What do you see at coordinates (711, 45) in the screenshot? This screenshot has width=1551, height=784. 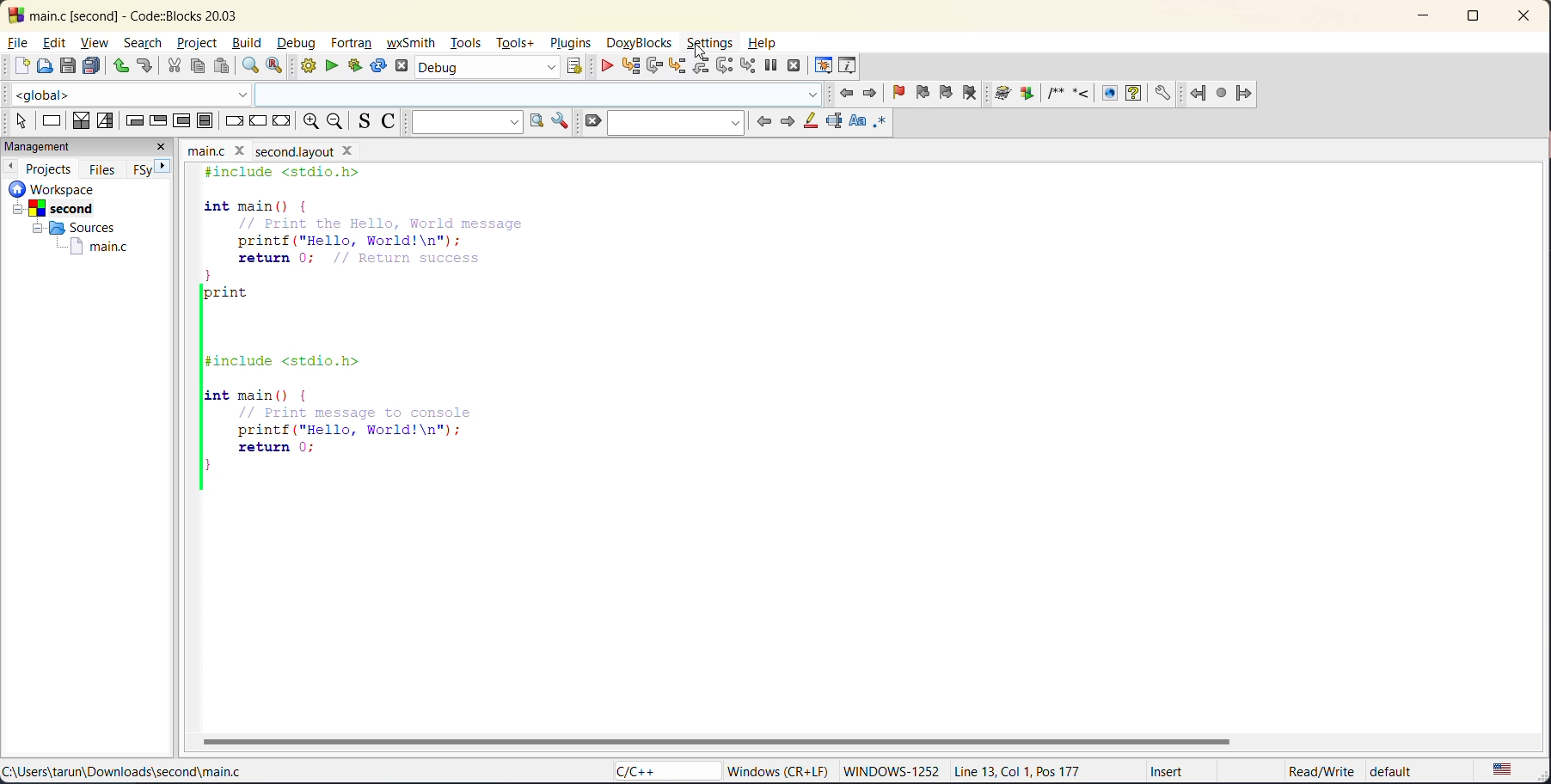 I see `settings` at bounding box center [711, 45].